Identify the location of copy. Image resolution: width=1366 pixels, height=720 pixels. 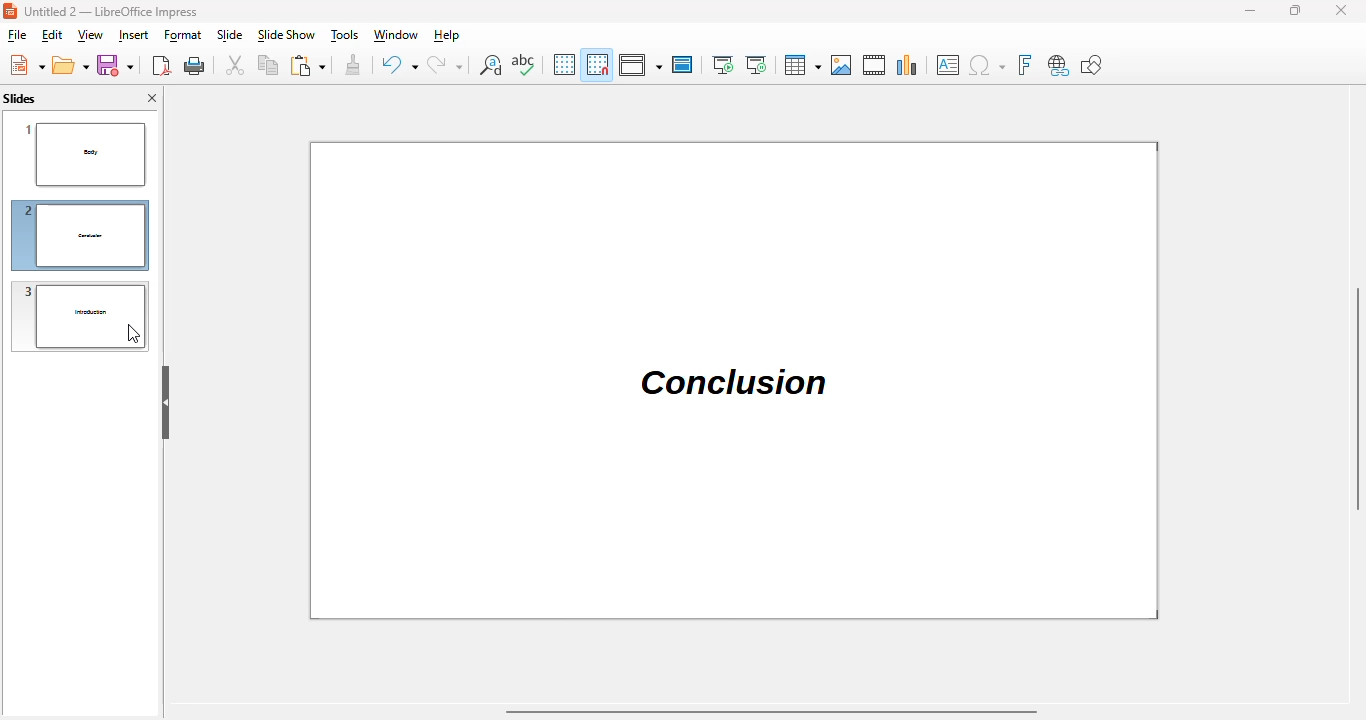
(268, 64).